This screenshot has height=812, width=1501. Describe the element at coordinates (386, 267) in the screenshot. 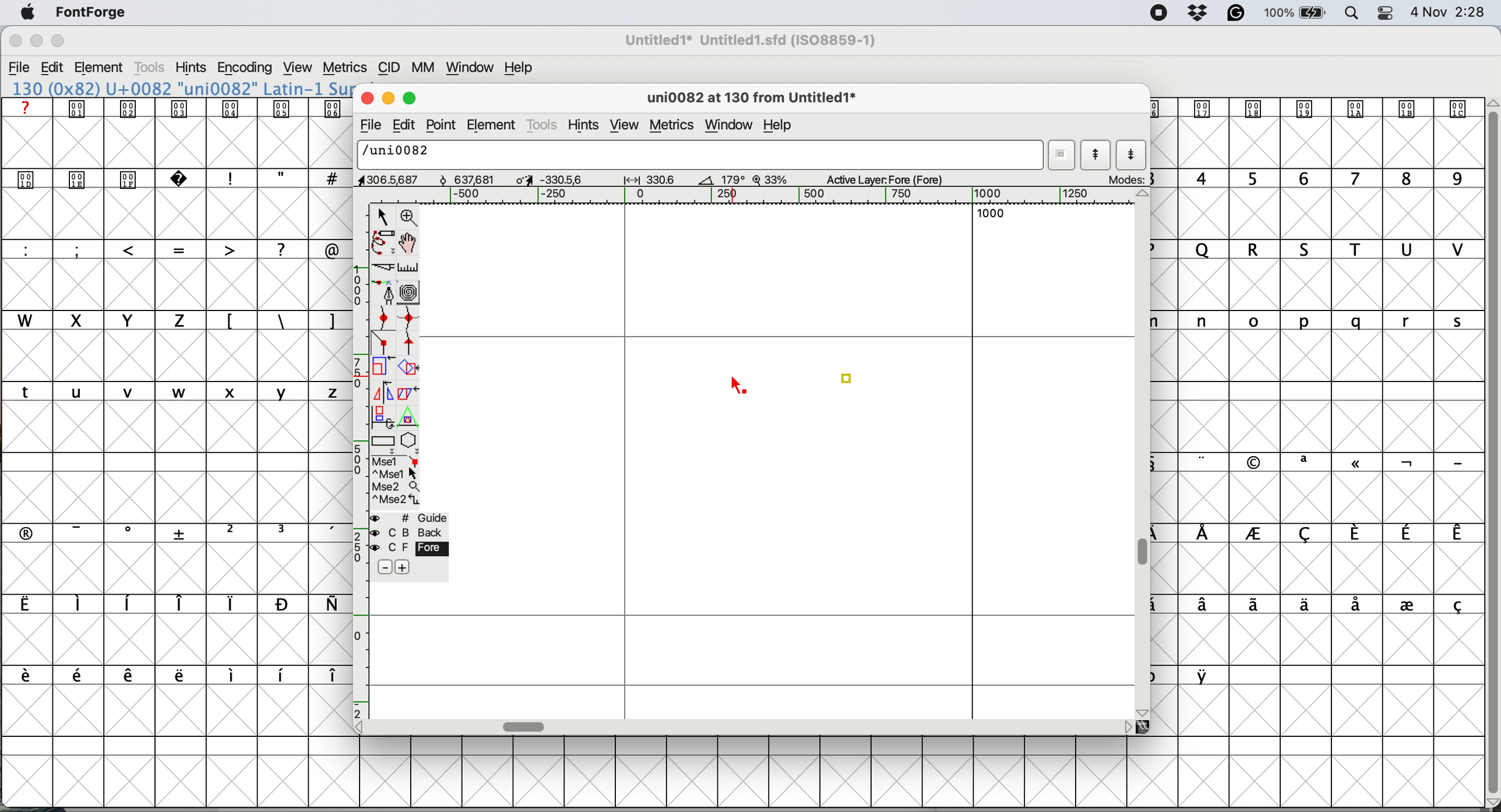

I see `cut splines in two` at that location.